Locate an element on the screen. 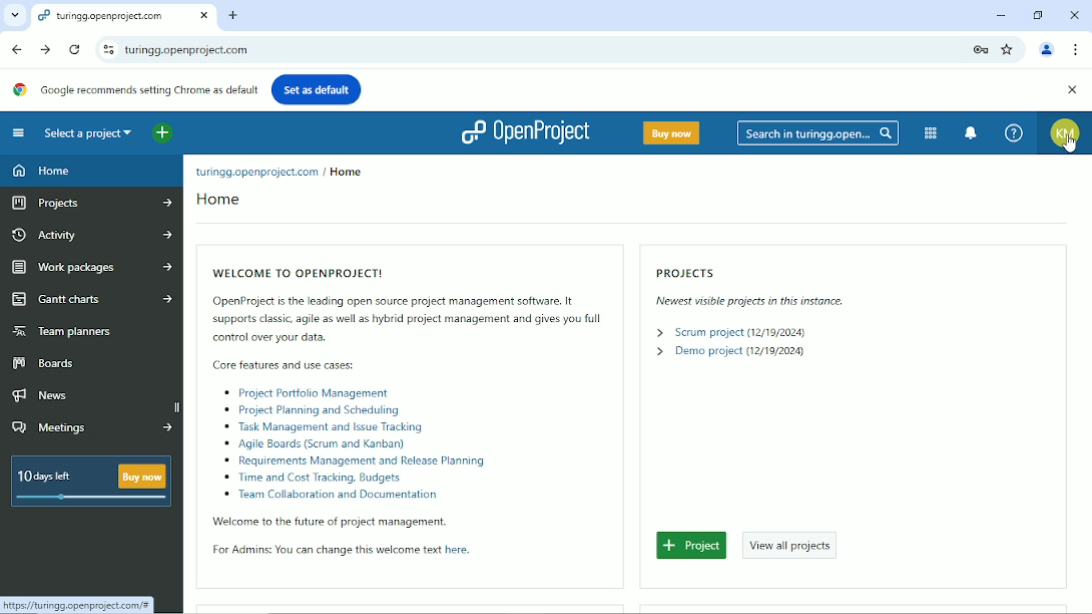 This screenshot has height=614, width=1092. Activity is located at coordinates (91, 233).